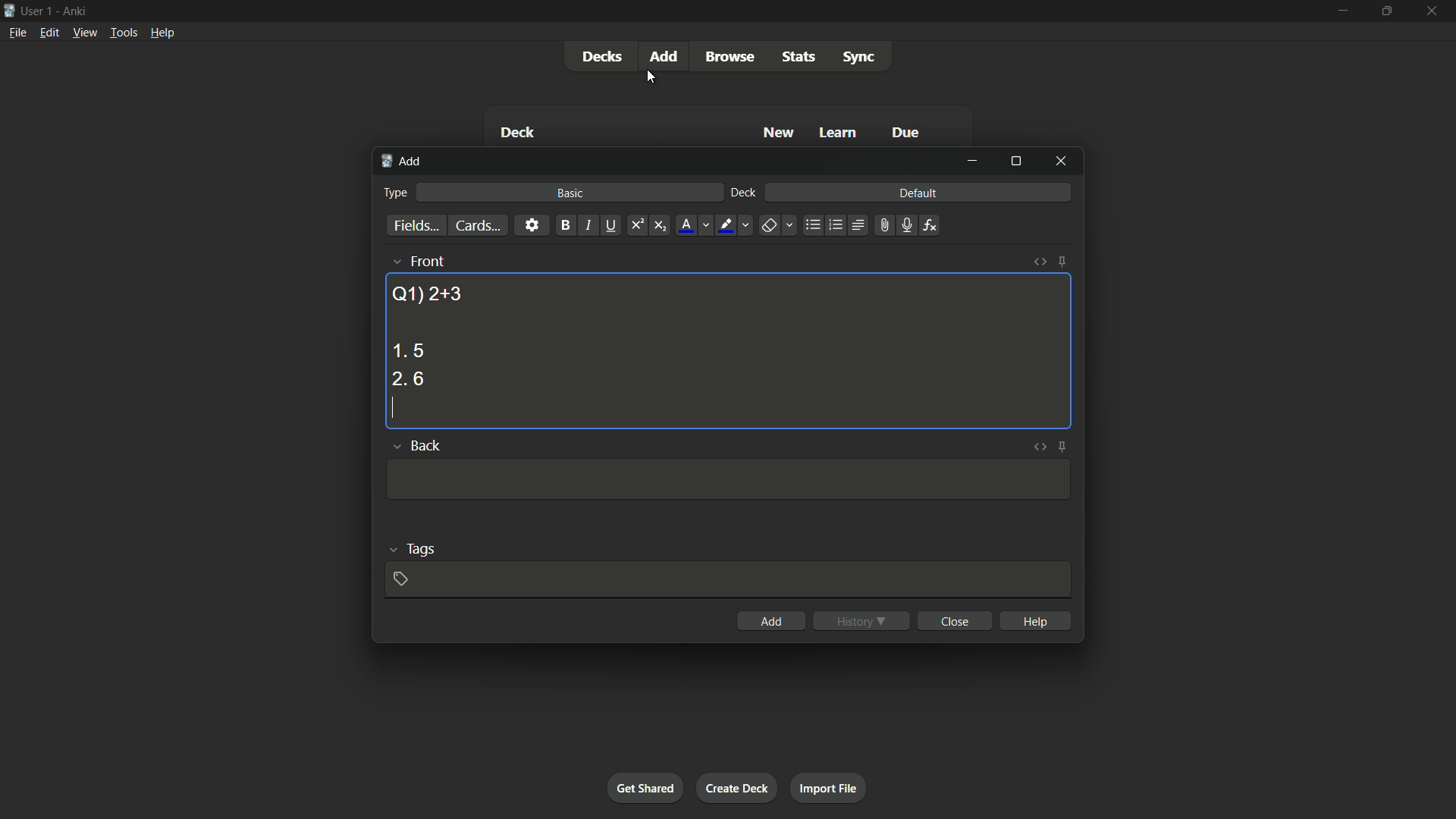 This screenshot has width=1456, height=819. What do you see at coordinates (859, 58) in the screenshot?
I see `sync` at bounding box center [859, 58].